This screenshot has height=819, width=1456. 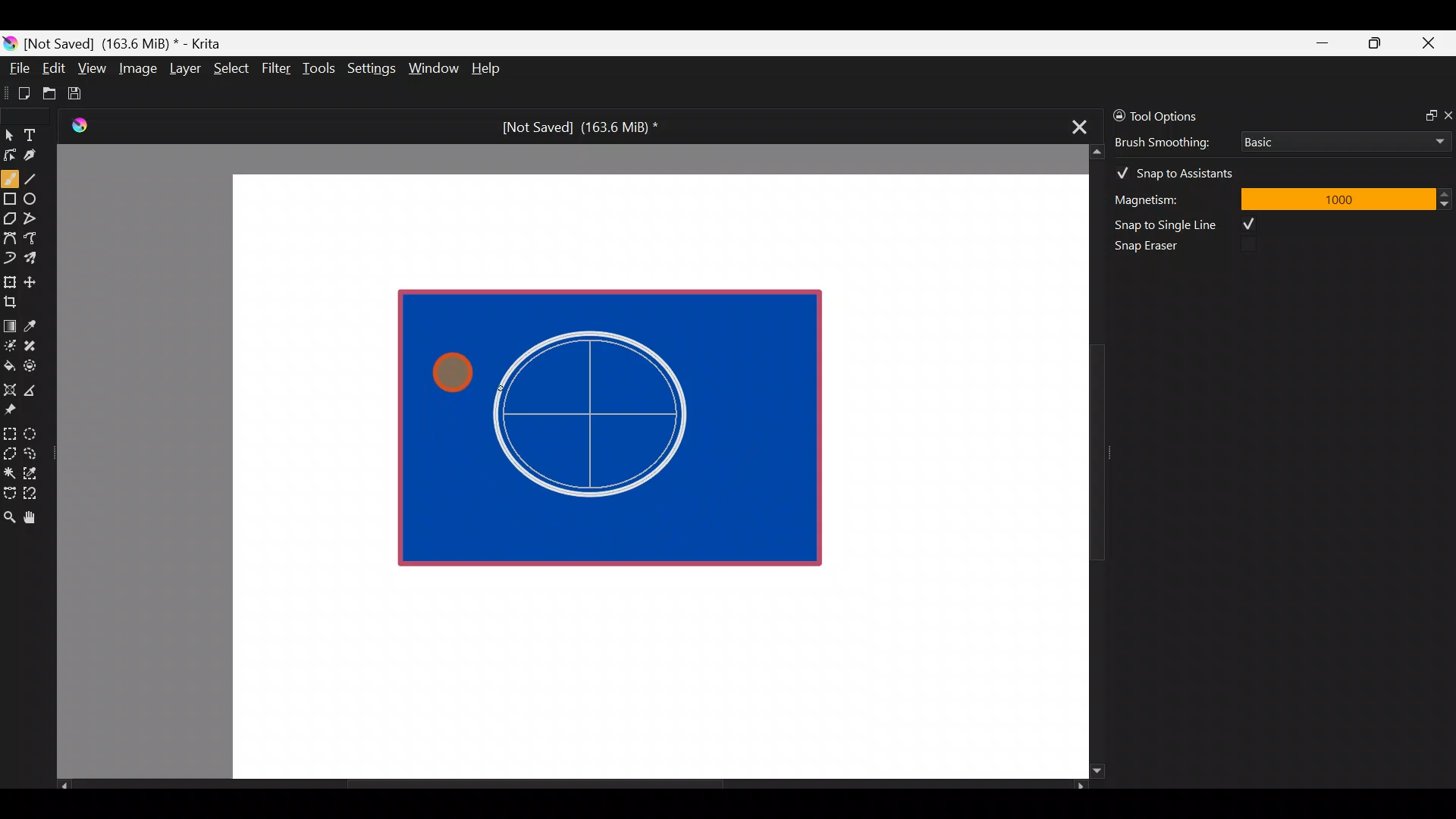 What do you see at coordinates (35, 494) in the screenshot?
I see `Magnetic curve selection tool` at bounding box center [35, 494].